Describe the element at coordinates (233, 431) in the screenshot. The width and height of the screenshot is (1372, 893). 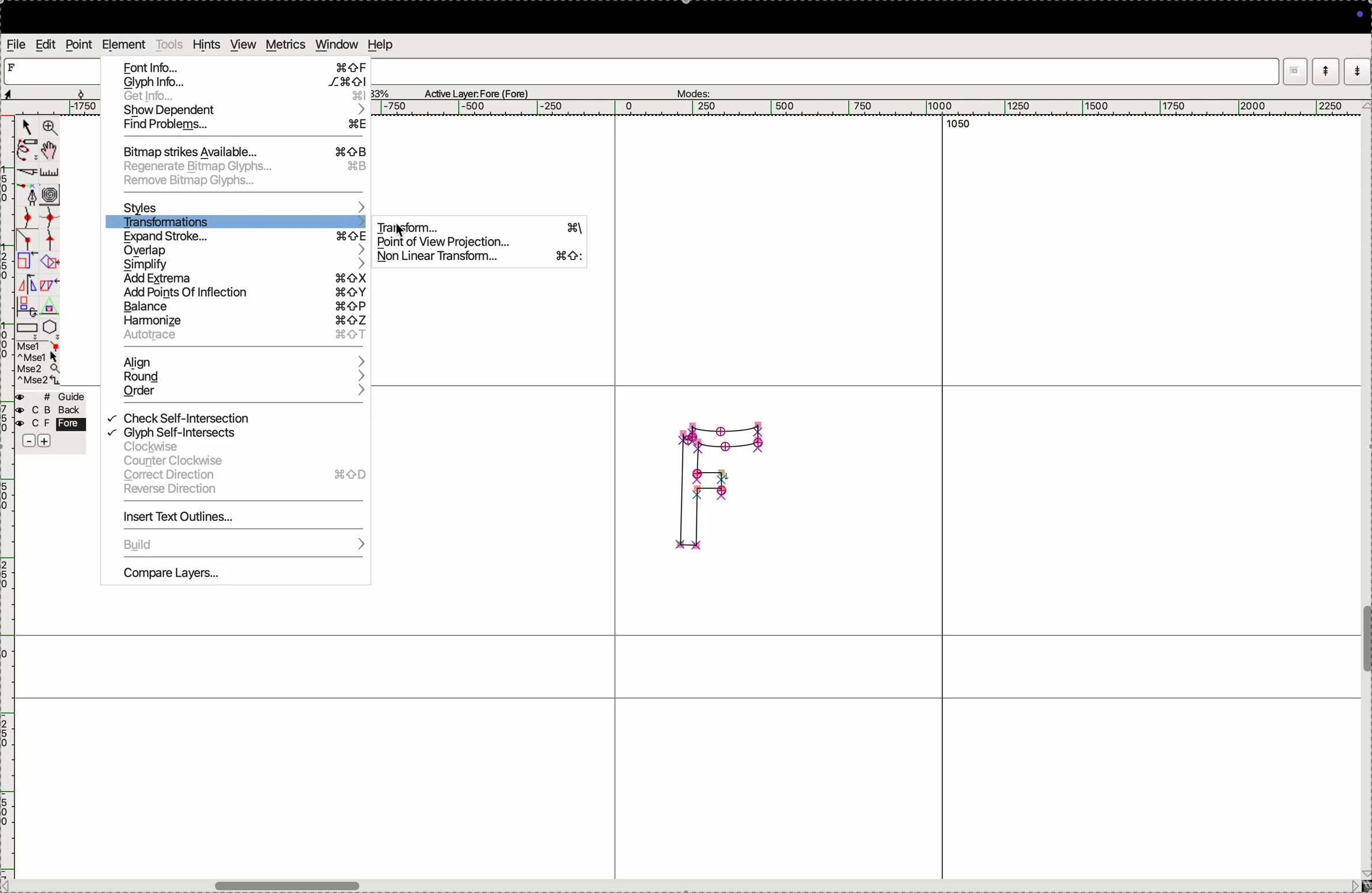
I see `glyph self interssects` at that location.